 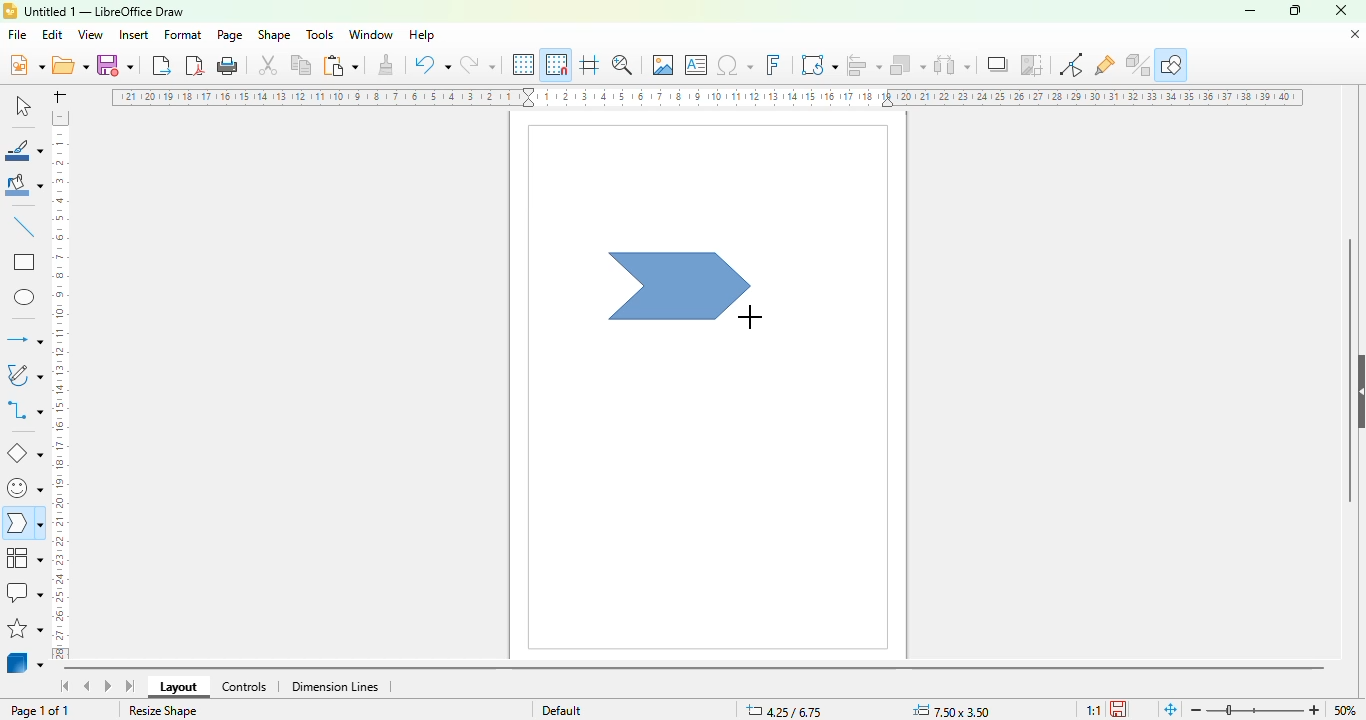 What do you see at coordinates (864, 65) in the screenshot?
I see `align objects` at bounding box center [864, 65].